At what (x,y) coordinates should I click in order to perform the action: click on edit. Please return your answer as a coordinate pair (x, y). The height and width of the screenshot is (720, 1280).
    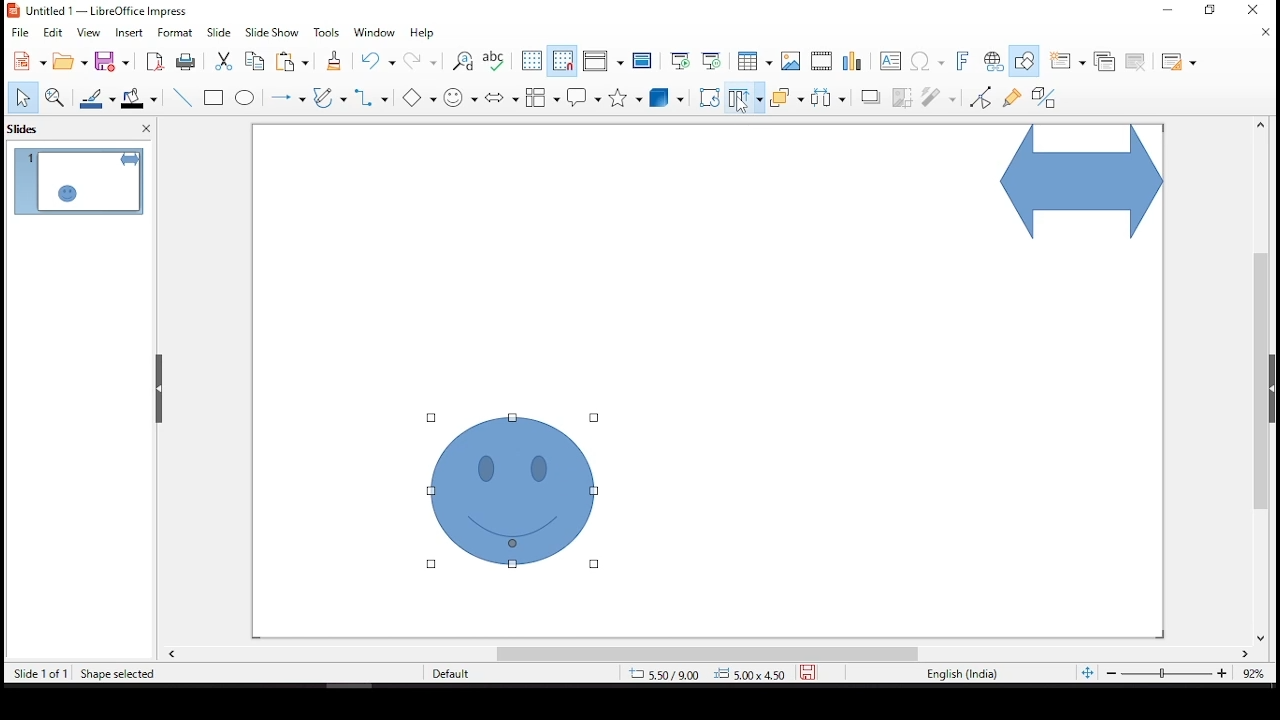
    Looking at the image, I should click on (53, 33).